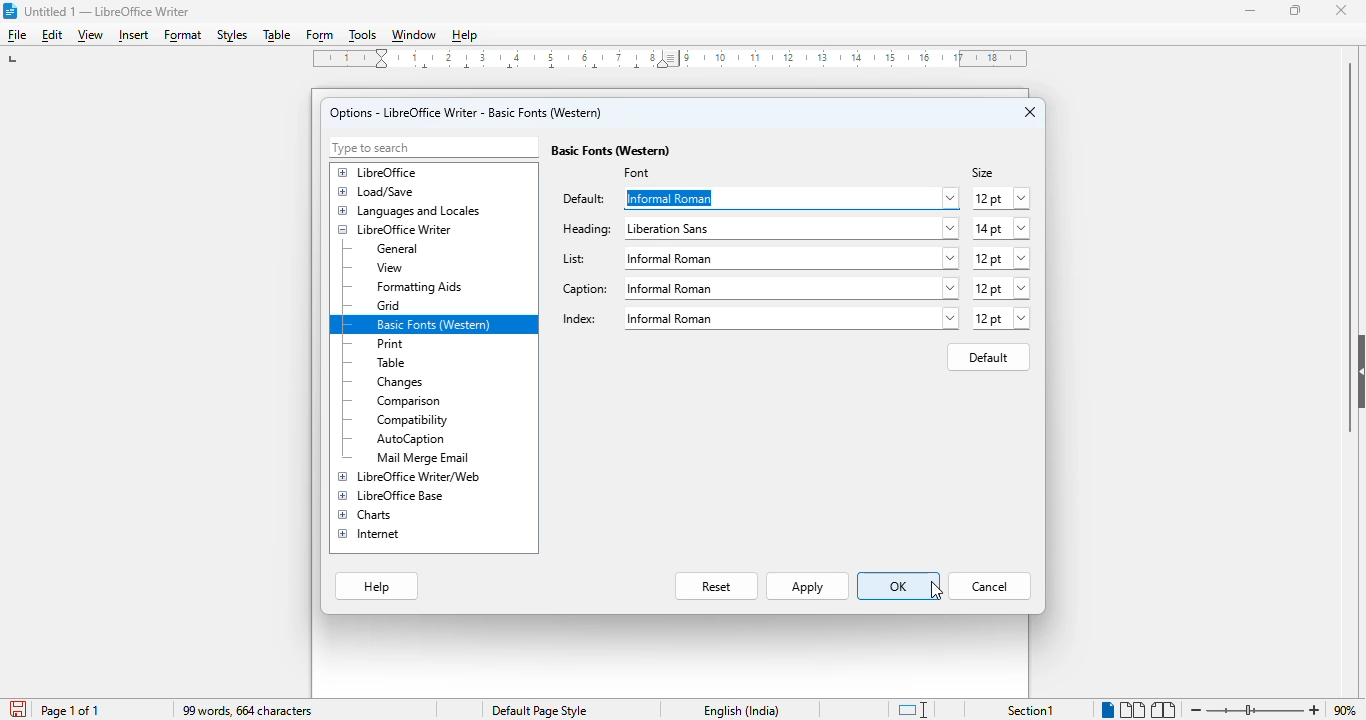 The image size is (1366, 720). I want to click on cursor, so click(935, 589).